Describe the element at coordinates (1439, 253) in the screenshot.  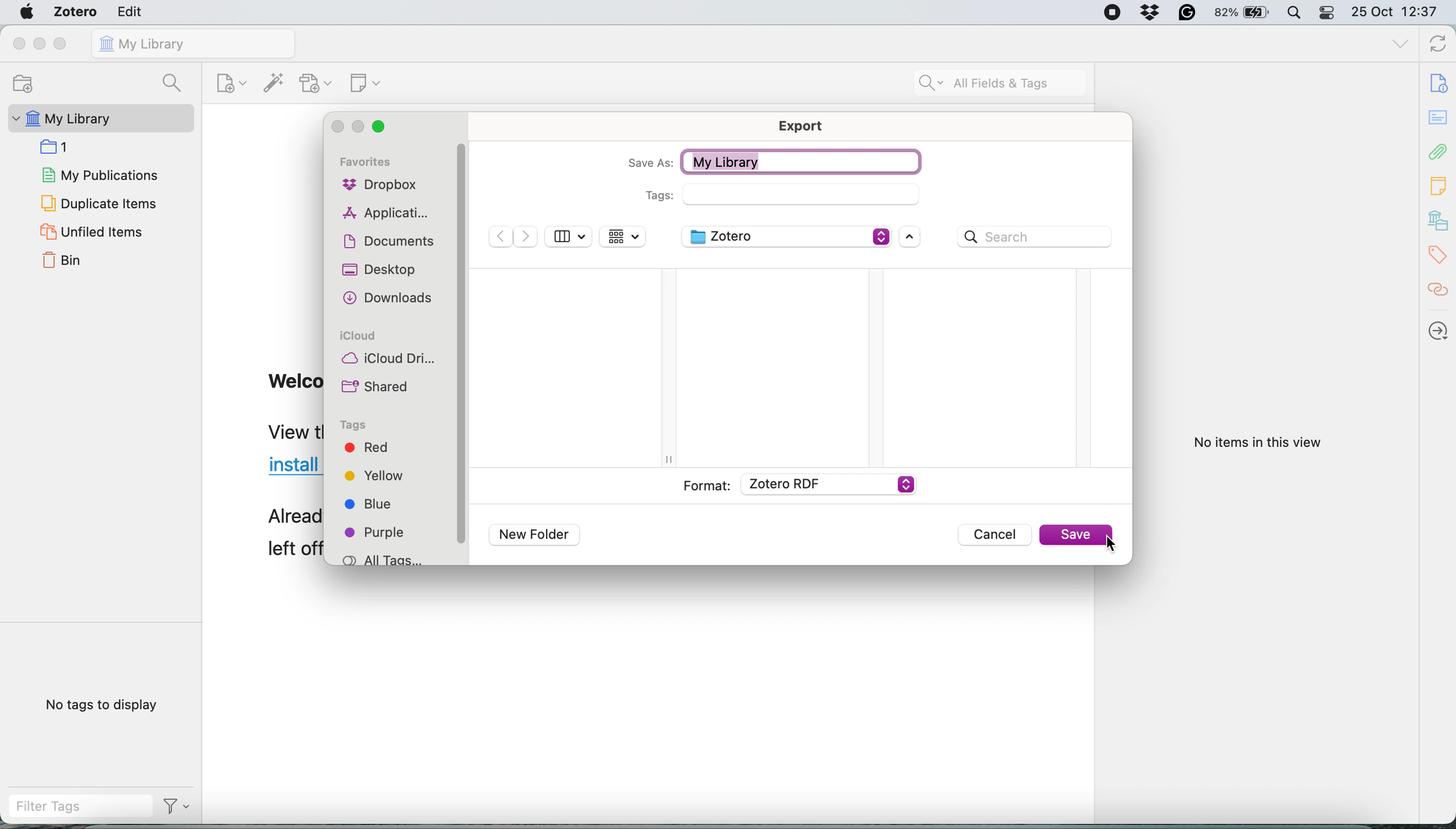
I see `tags` at that location.